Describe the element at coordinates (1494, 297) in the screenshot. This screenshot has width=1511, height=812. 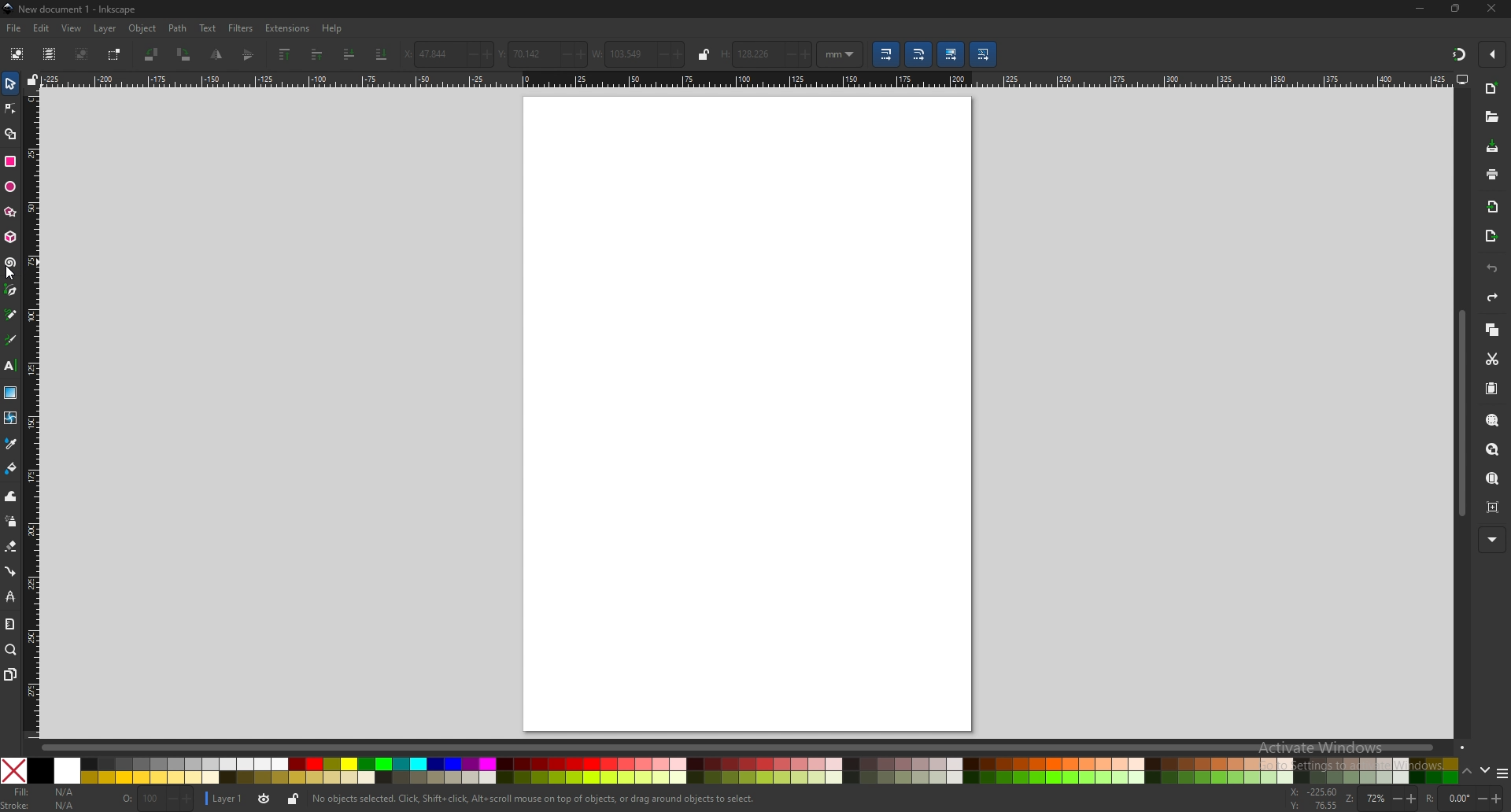
I see `redo` at that location.